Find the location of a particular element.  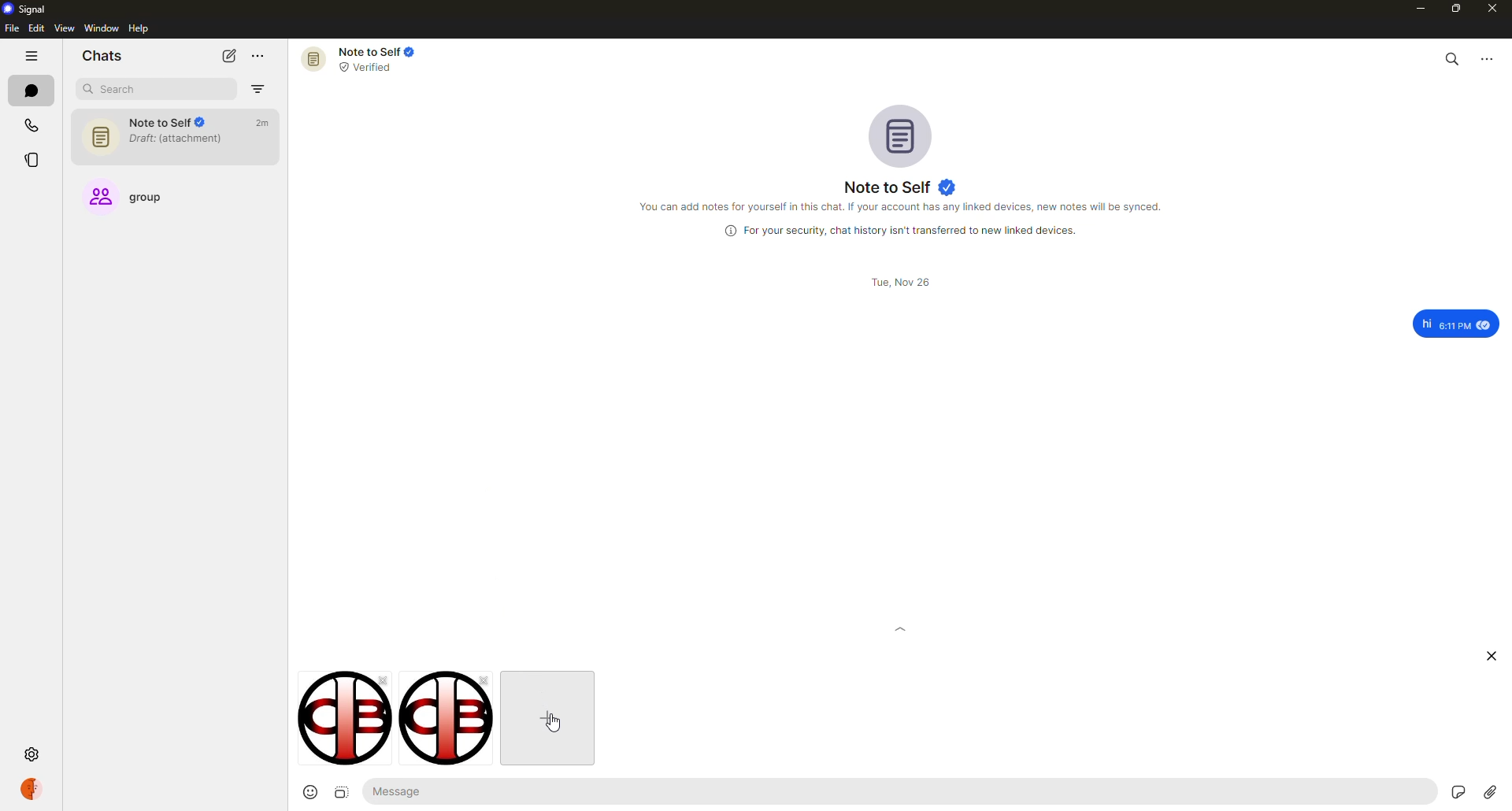

date is located at coordinates (899, 282).